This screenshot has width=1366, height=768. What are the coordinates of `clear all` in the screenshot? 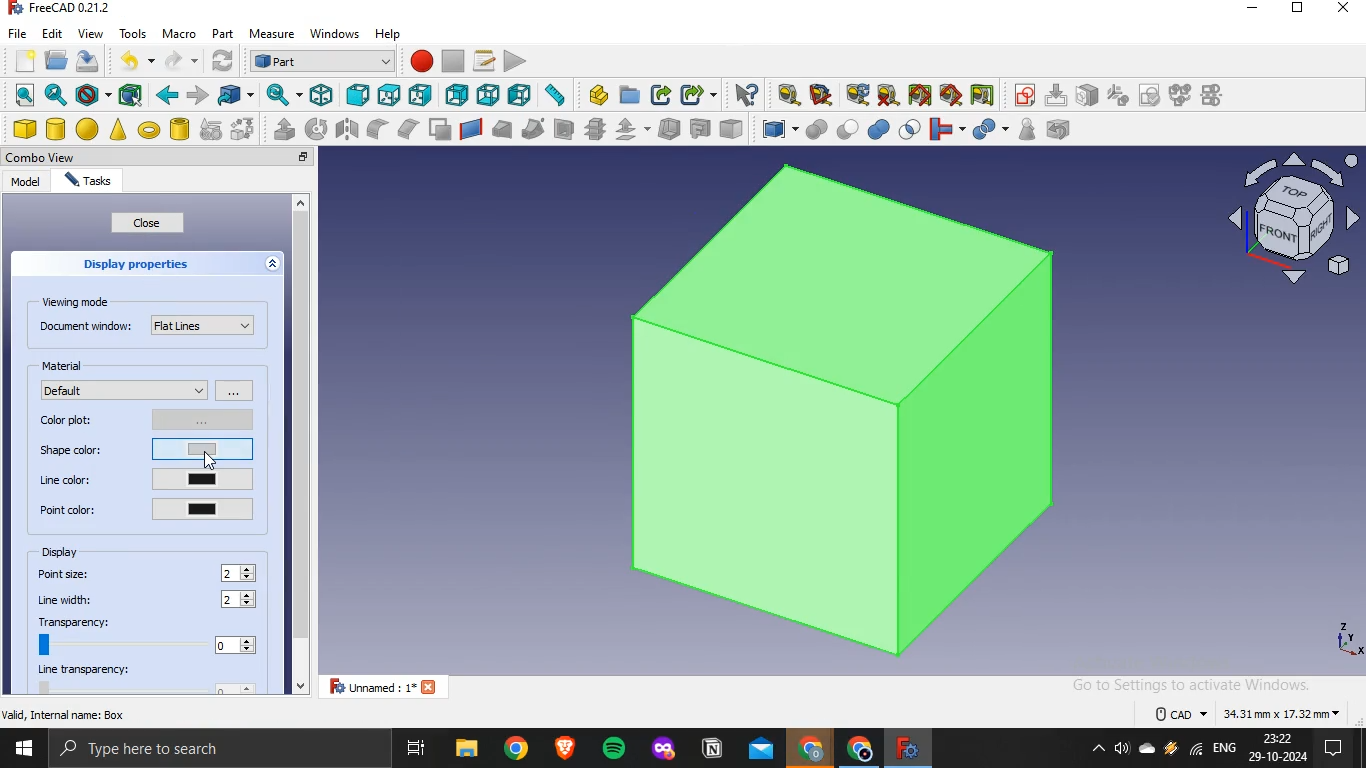 It's located at (888, 95).